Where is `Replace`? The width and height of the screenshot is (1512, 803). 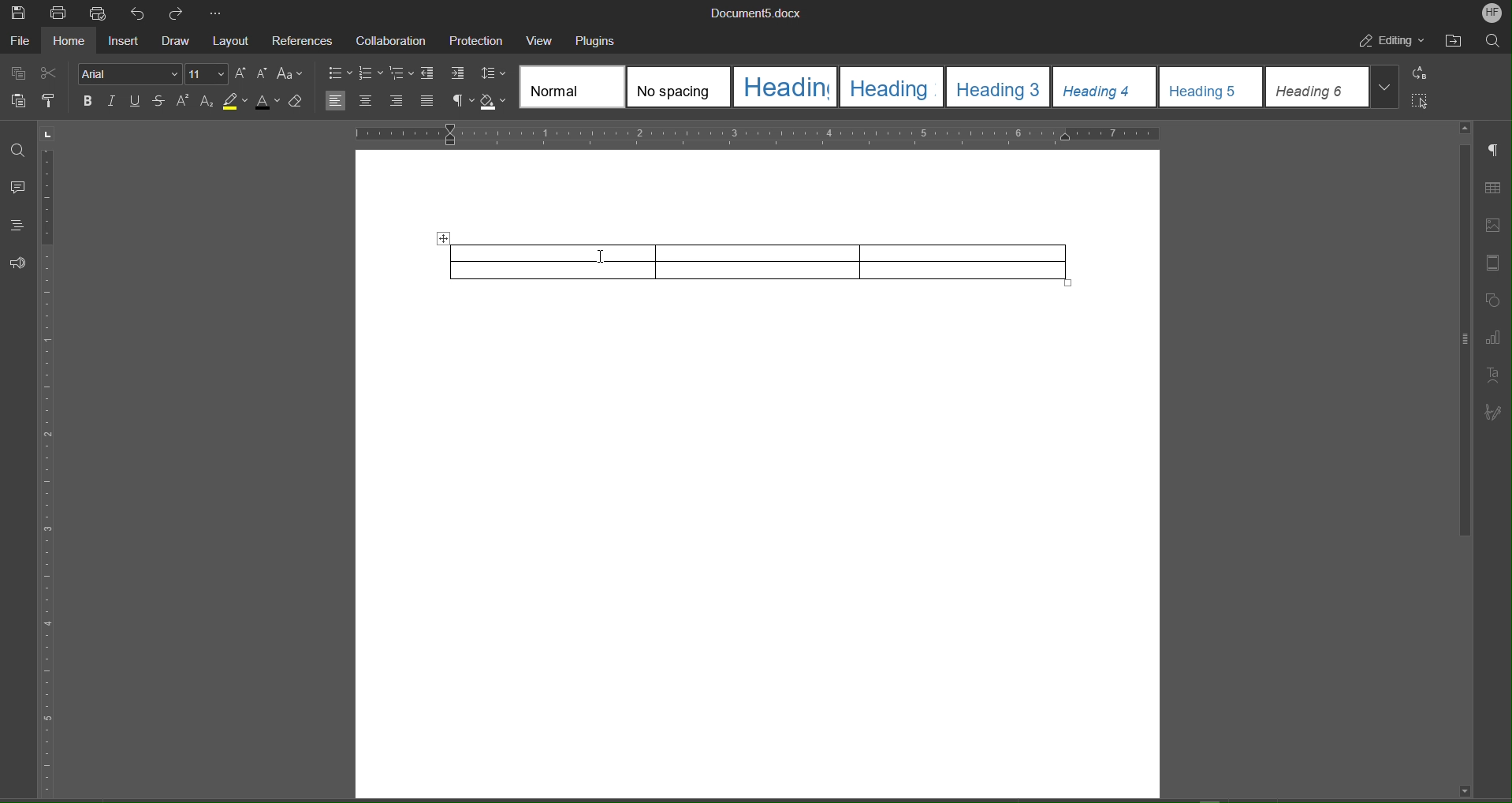 Replace is located at coordinates (1424, 73).